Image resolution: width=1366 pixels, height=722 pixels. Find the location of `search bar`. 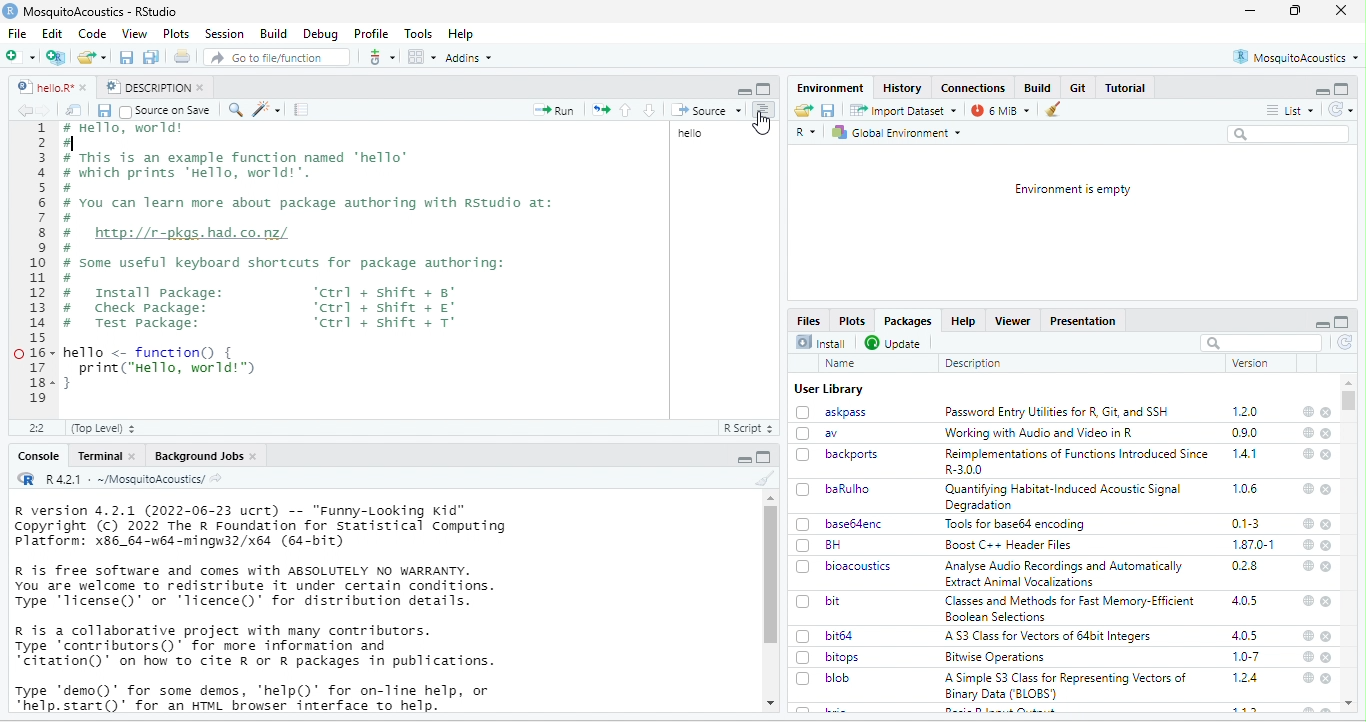

search bar is located at coordinates (1262, 342).